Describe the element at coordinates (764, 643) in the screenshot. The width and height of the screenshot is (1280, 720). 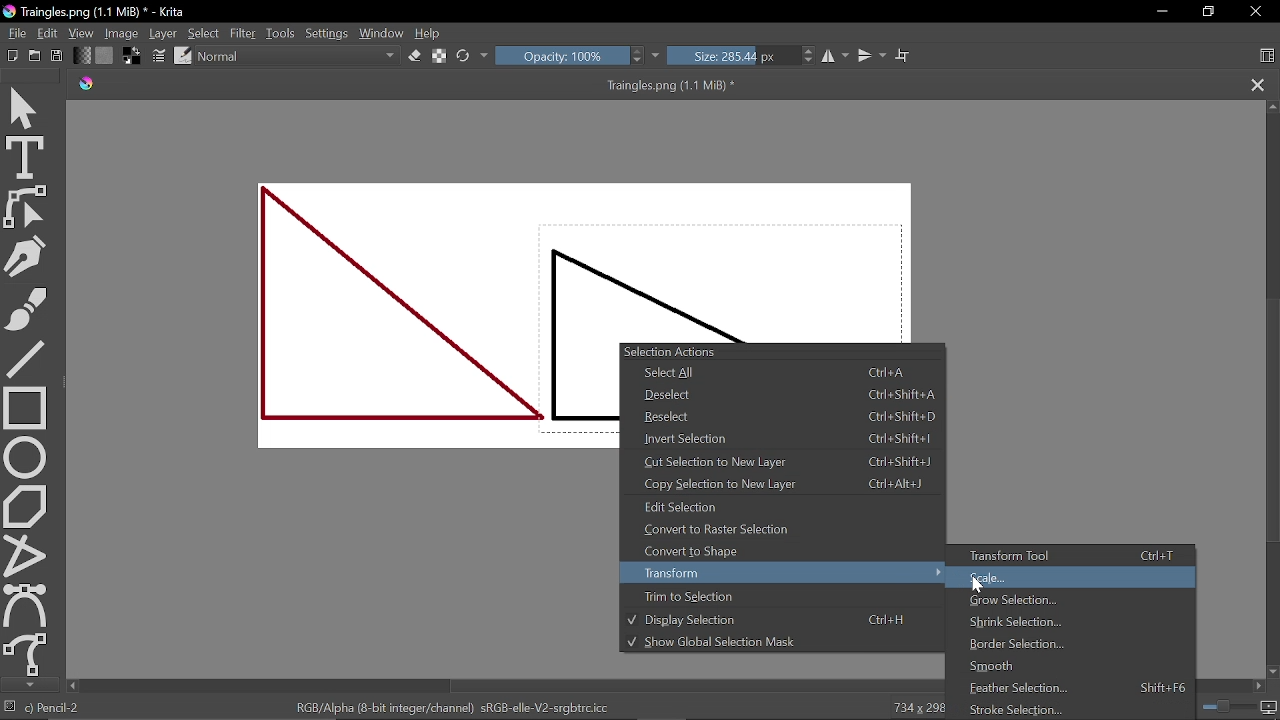
I see `Show global selection Mask` at that location.